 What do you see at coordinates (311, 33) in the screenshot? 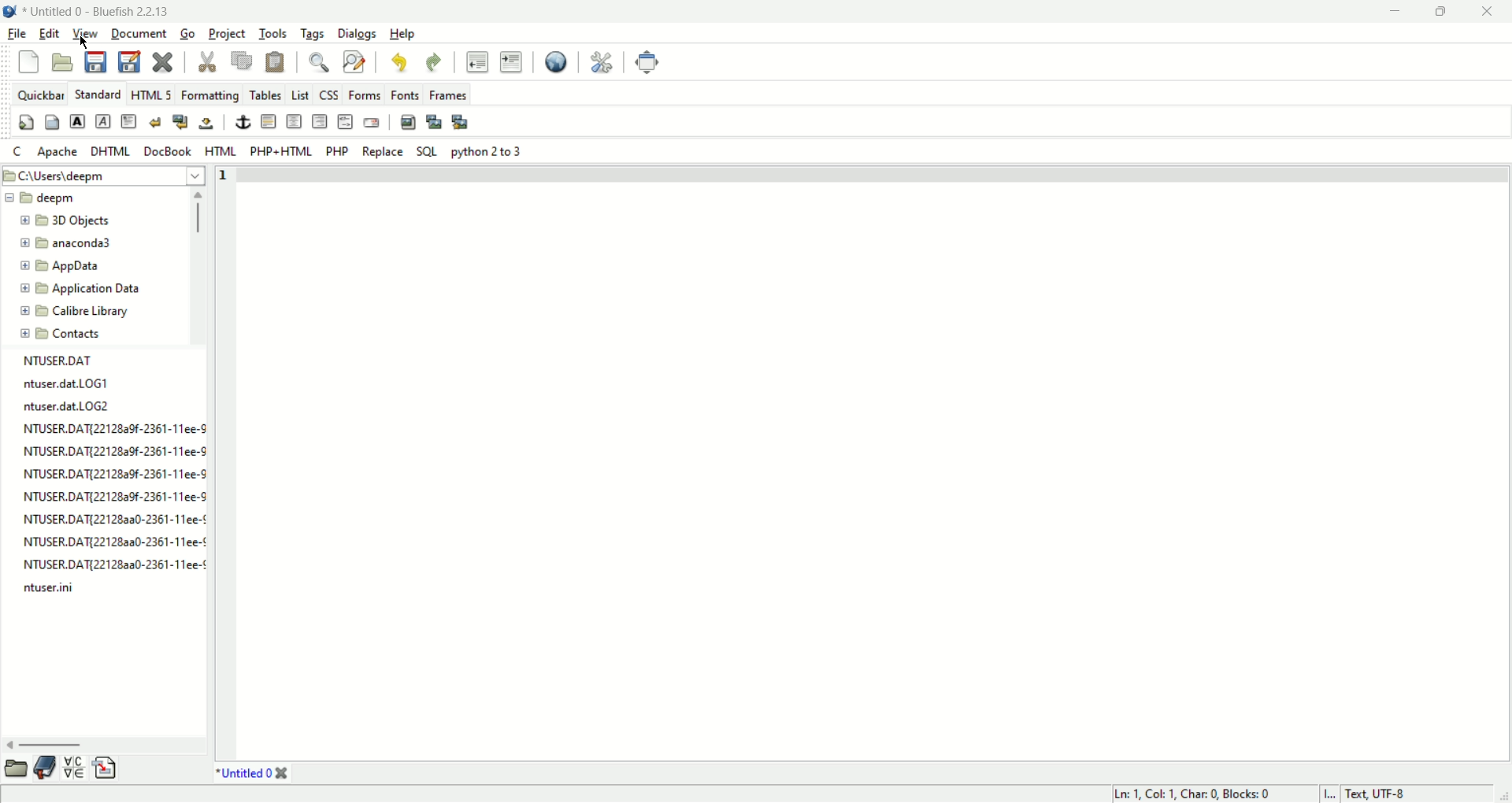
I see `tags` at bounding box center [311, 33].